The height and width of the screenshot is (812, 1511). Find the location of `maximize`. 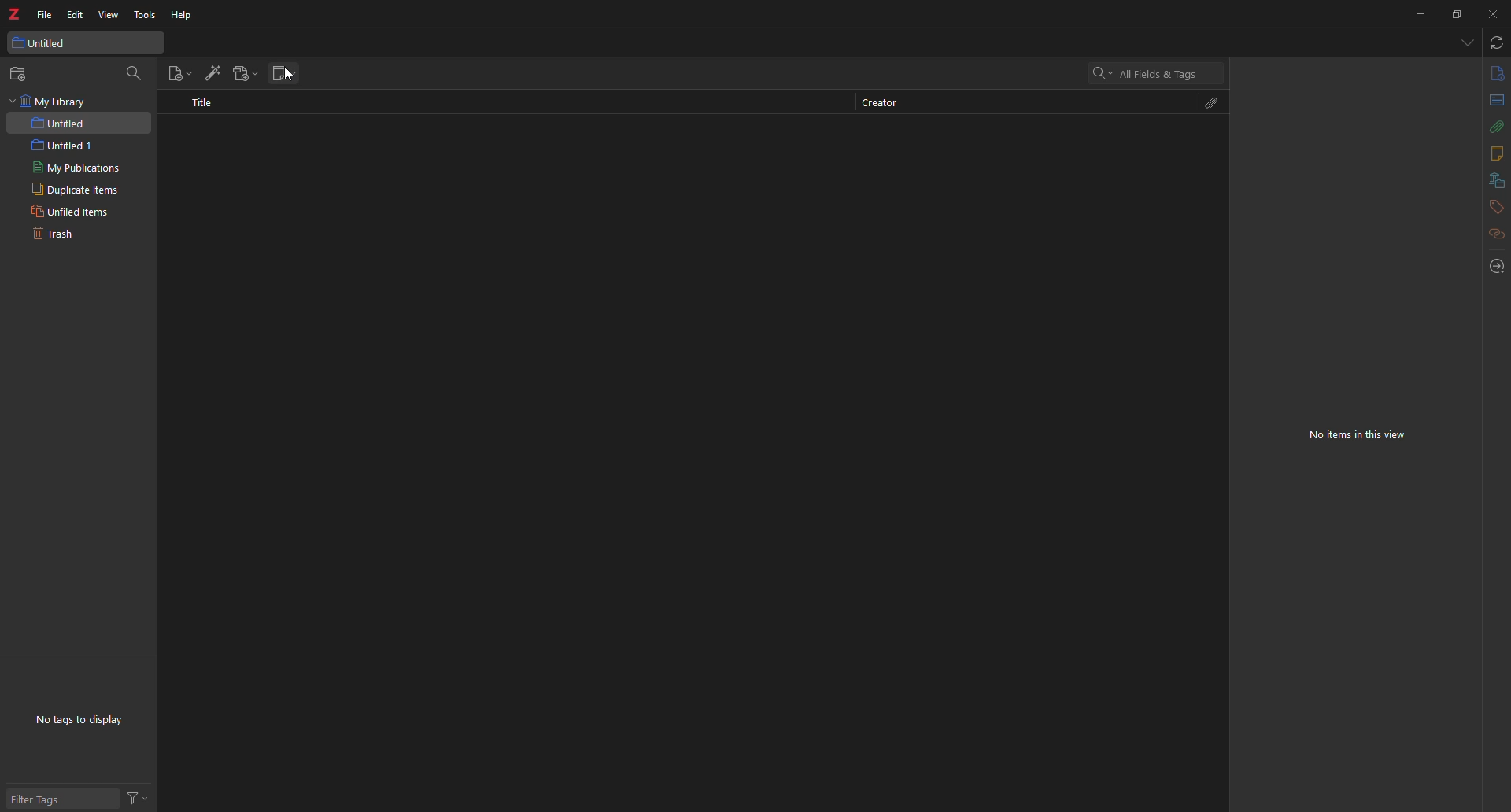

maximize is located at coordinates (1456, 13).